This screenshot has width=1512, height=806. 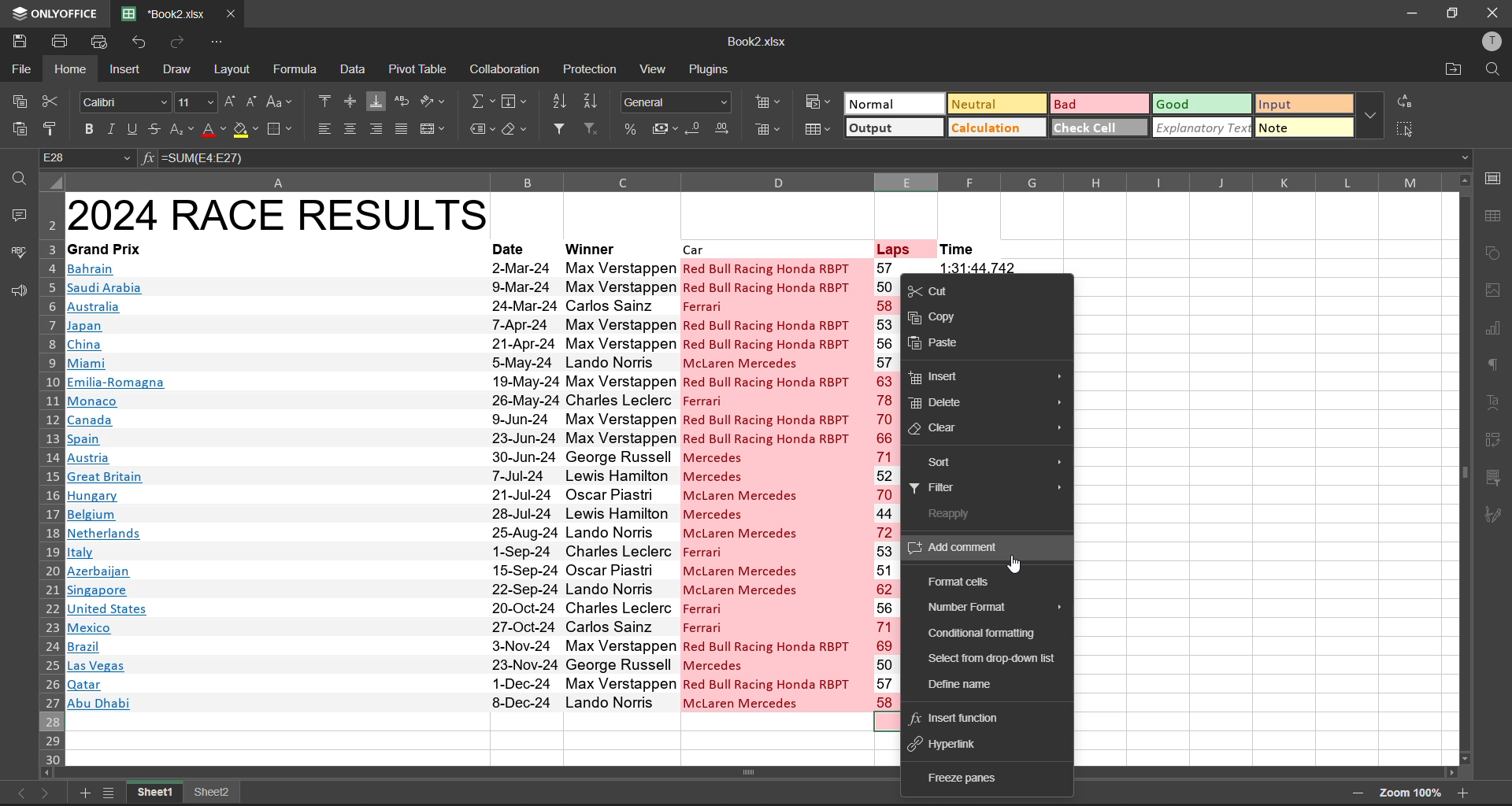 What do you see at coordinates (128, 71) in the screenshot?
I see `insert` at bounding box center [128, 71].